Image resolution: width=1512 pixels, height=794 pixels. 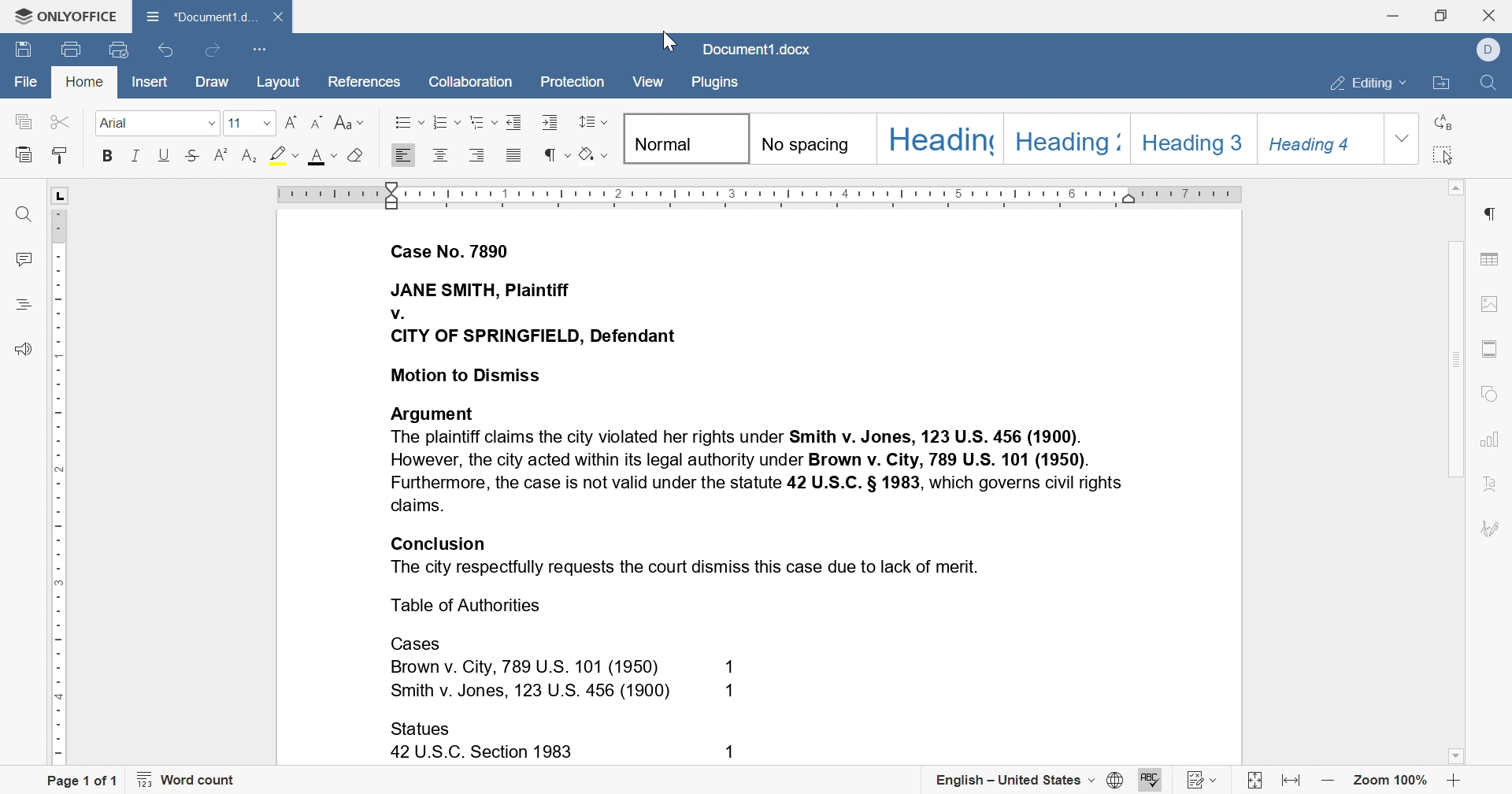 What do you see at coordinates (478, 154) in the screenshot?
I see `Align left` at bounding box center [478, 154].